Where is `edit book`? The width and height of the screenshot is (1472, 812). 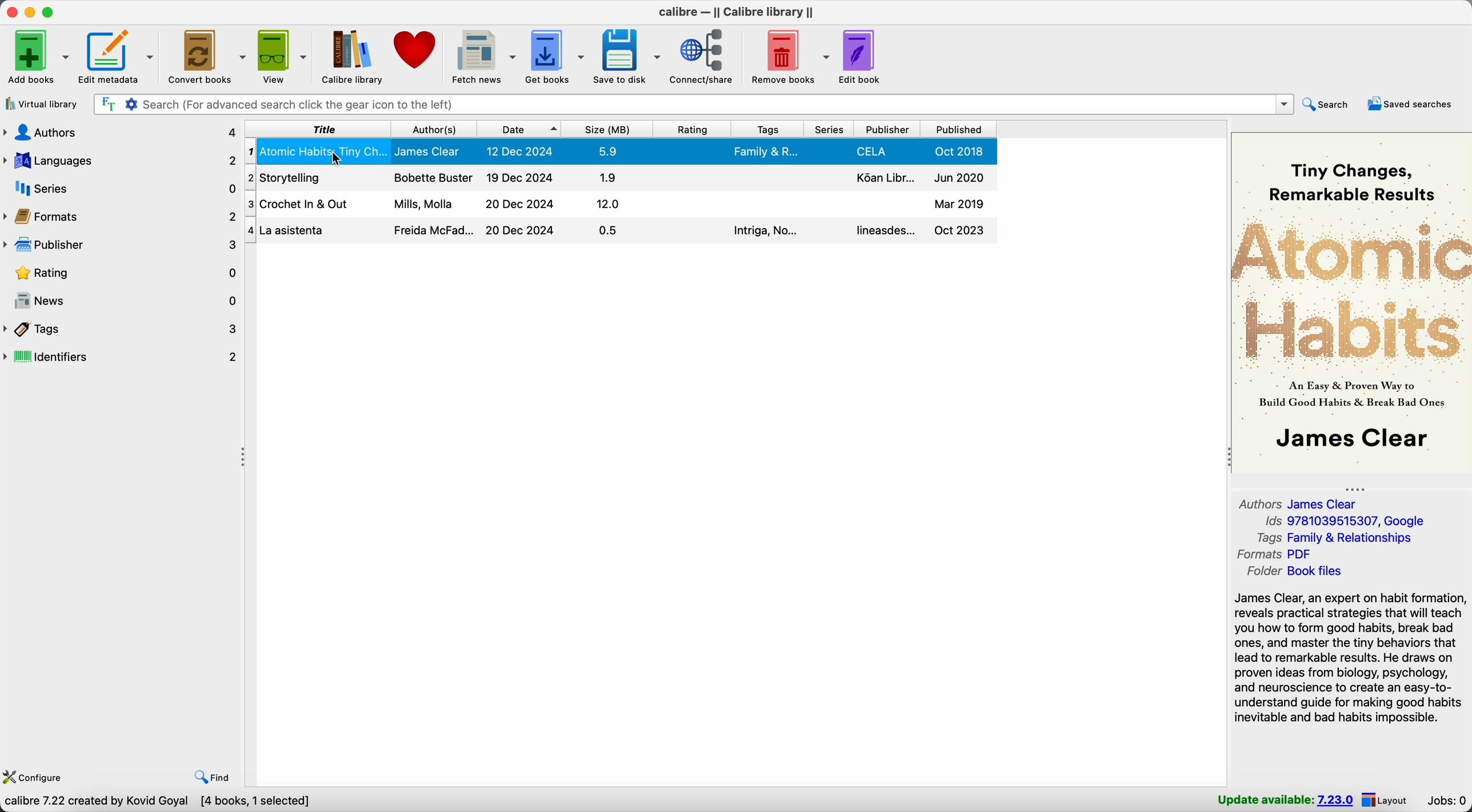 edit book is located at coordinates (862, 56).